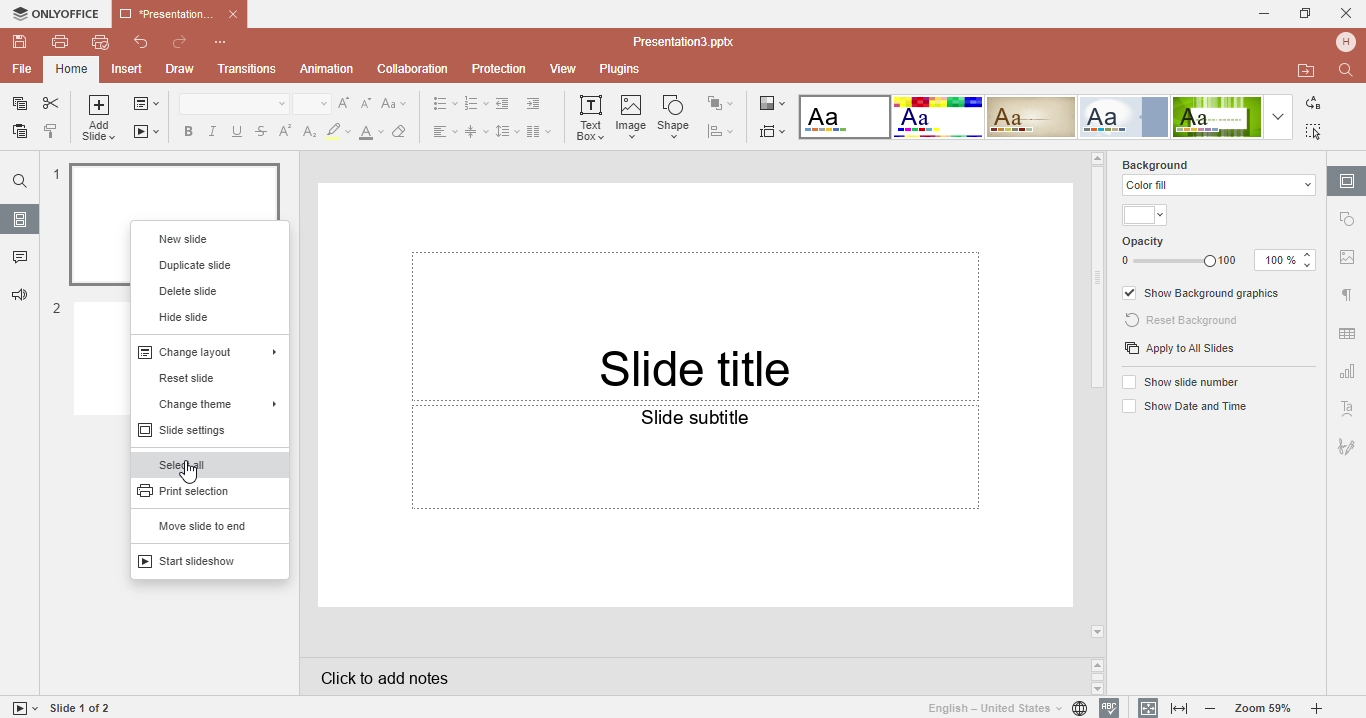 The height and width of the screenshot is (718, 1366). I want to click on Cursor on select all, so click(190, 471).